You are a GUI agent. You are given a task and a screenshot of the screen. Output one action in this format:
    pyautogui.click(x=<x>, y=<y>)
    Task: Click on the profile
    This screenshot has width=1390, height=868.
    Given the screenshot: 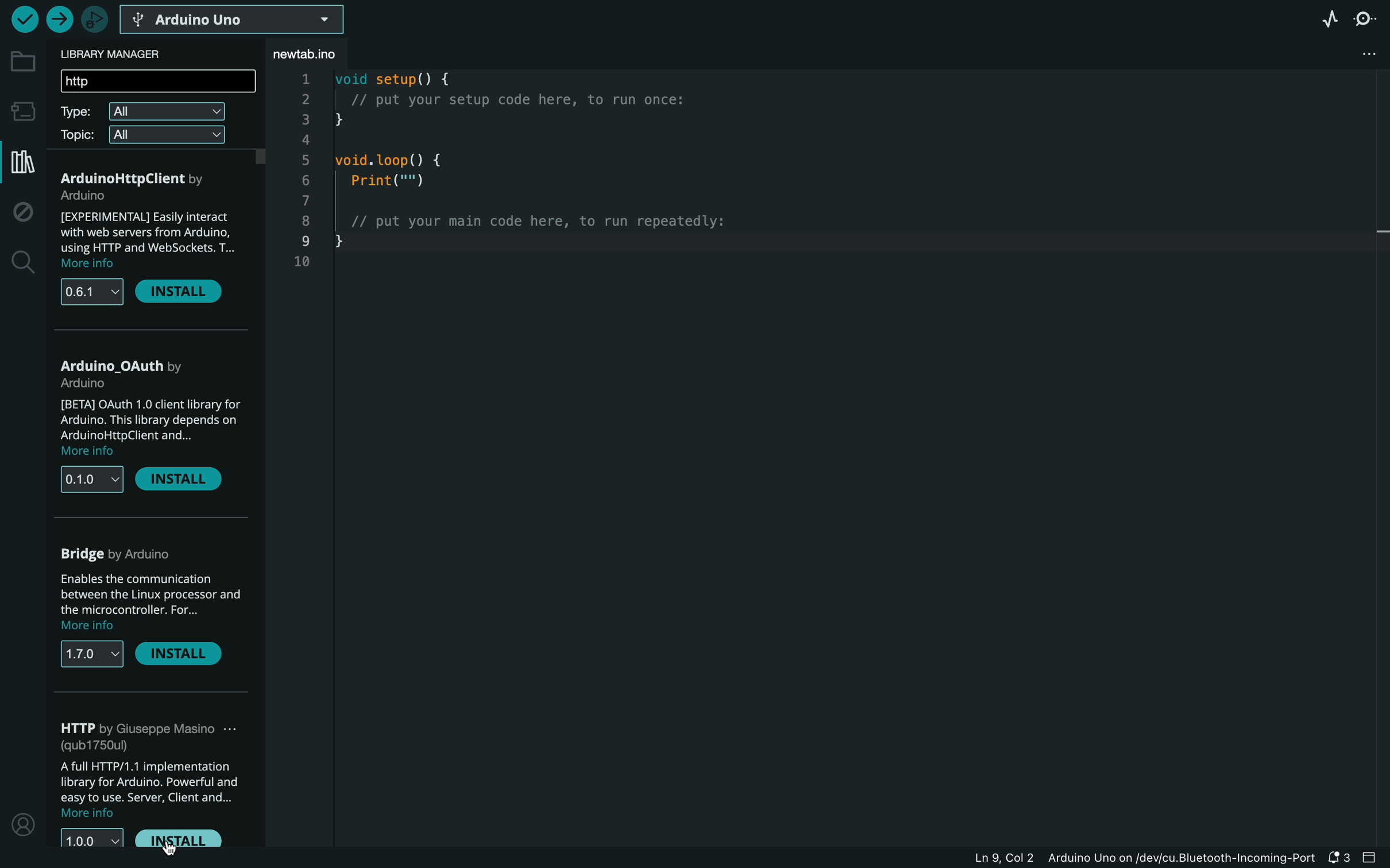 What is the action you would take?
    pyautogui.click(x=22, y=822)
    